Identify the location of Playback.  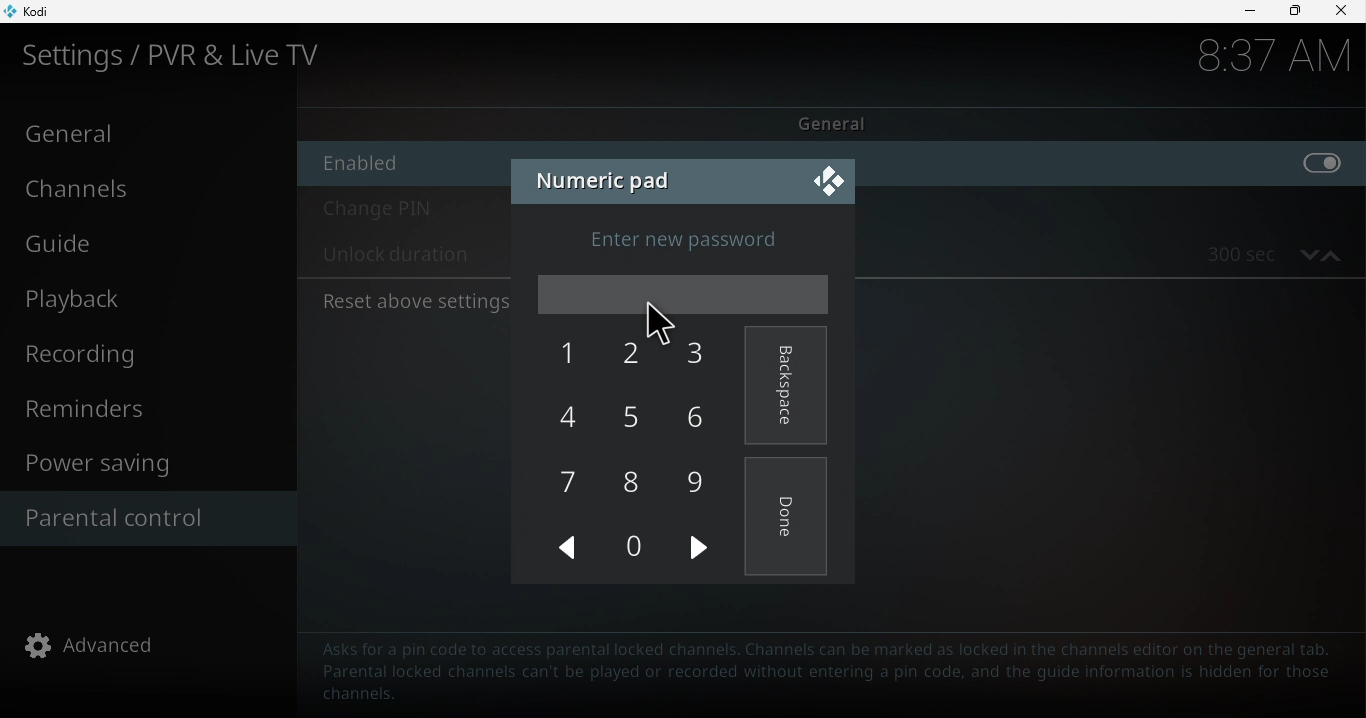
(138, 301).